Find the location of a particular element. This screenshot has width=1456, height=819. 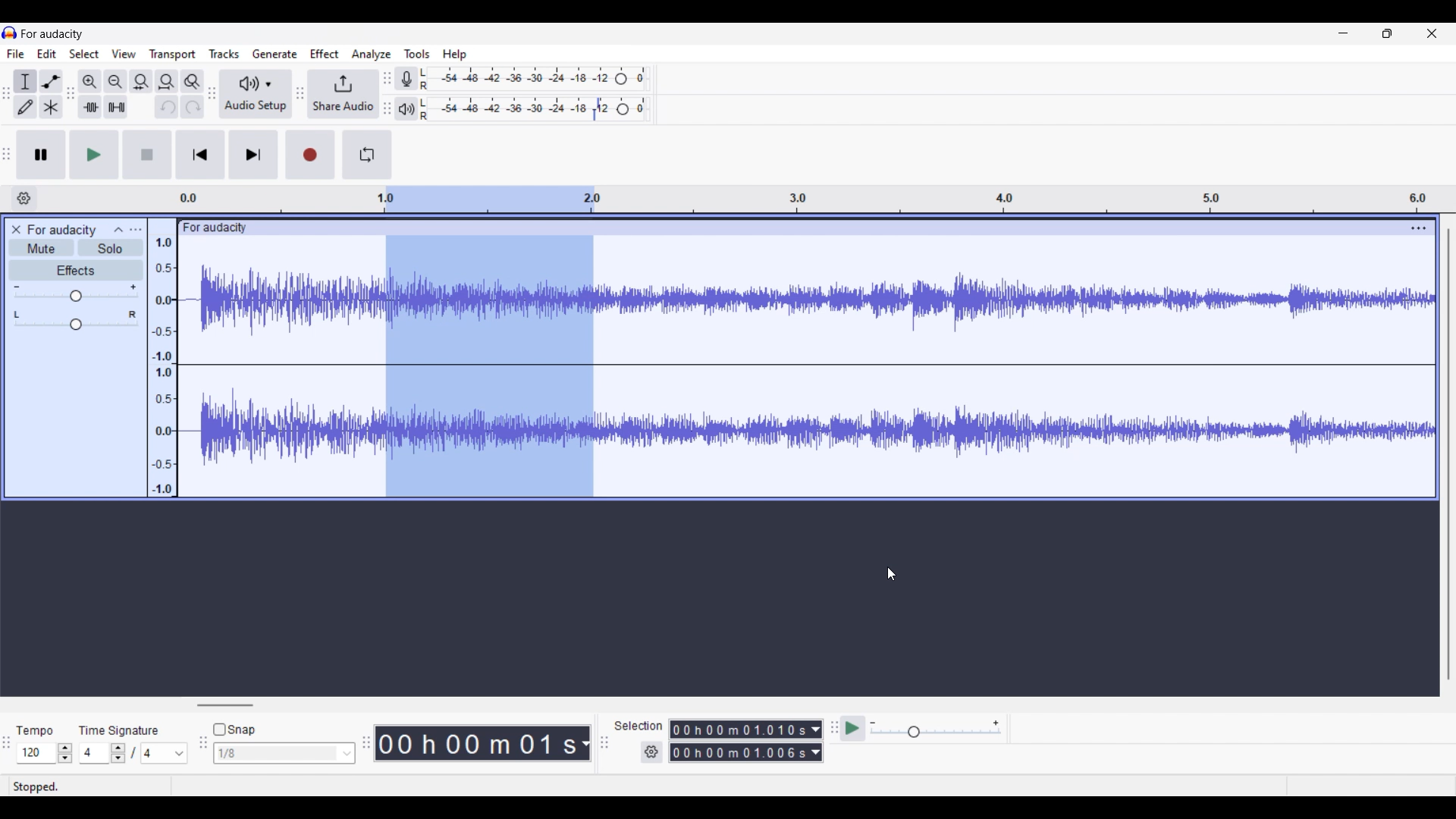

Analyze menu is located at coordinates (371, 55).